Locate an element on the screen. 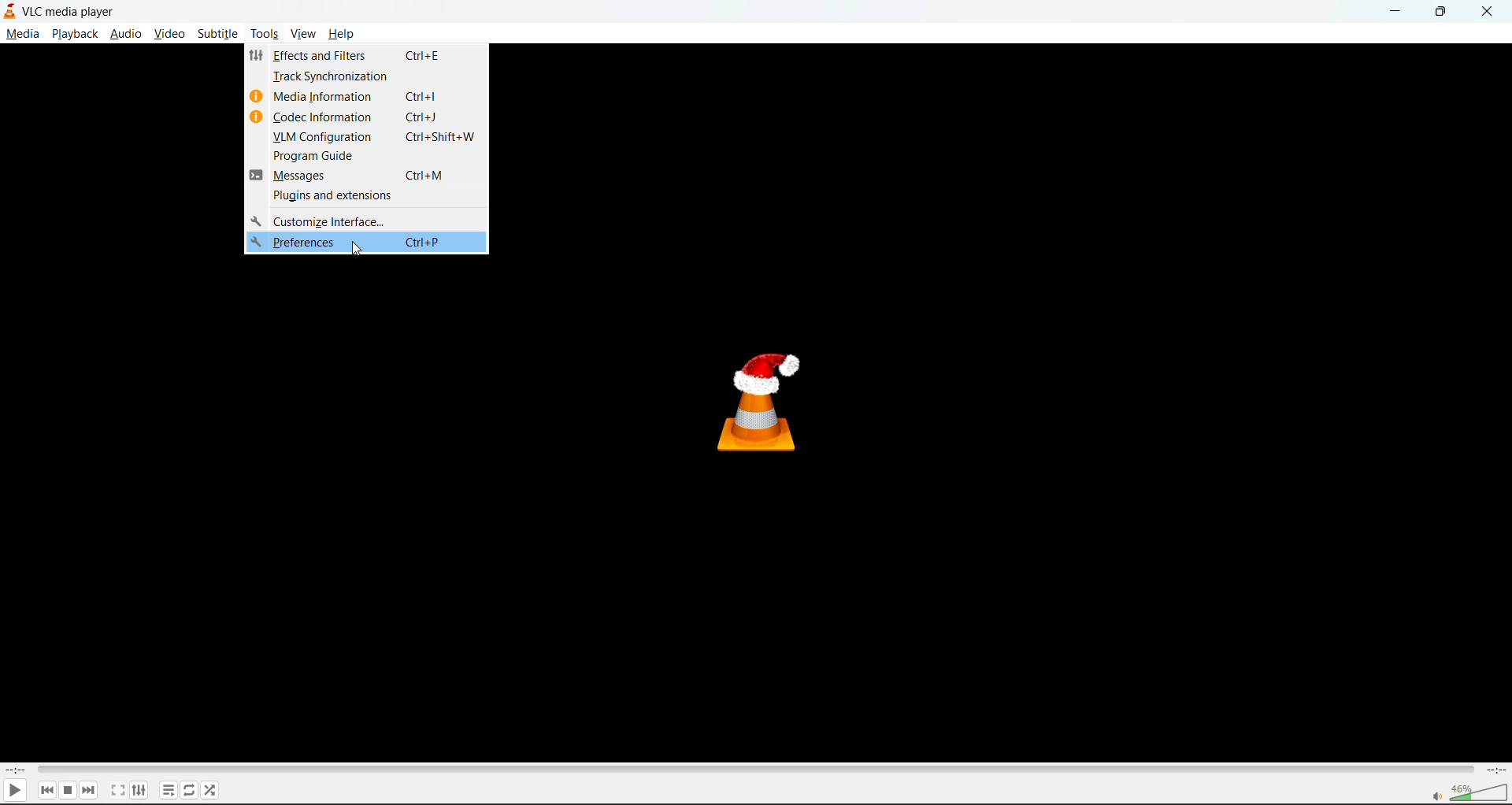  messages is located at coordinates (302, 176).